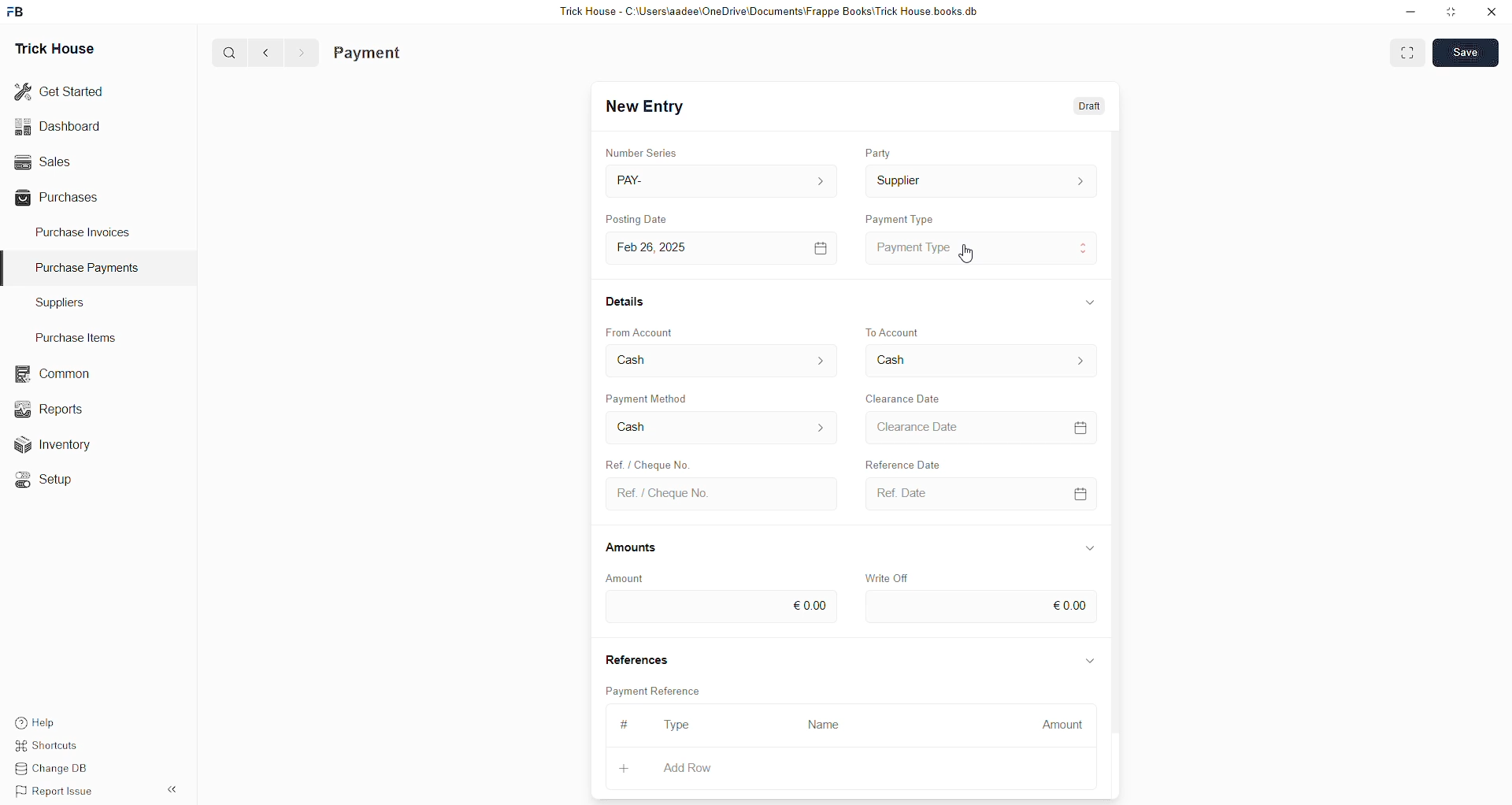 The image size is (1512, 805). I want to click on forward, so click(301, 53).